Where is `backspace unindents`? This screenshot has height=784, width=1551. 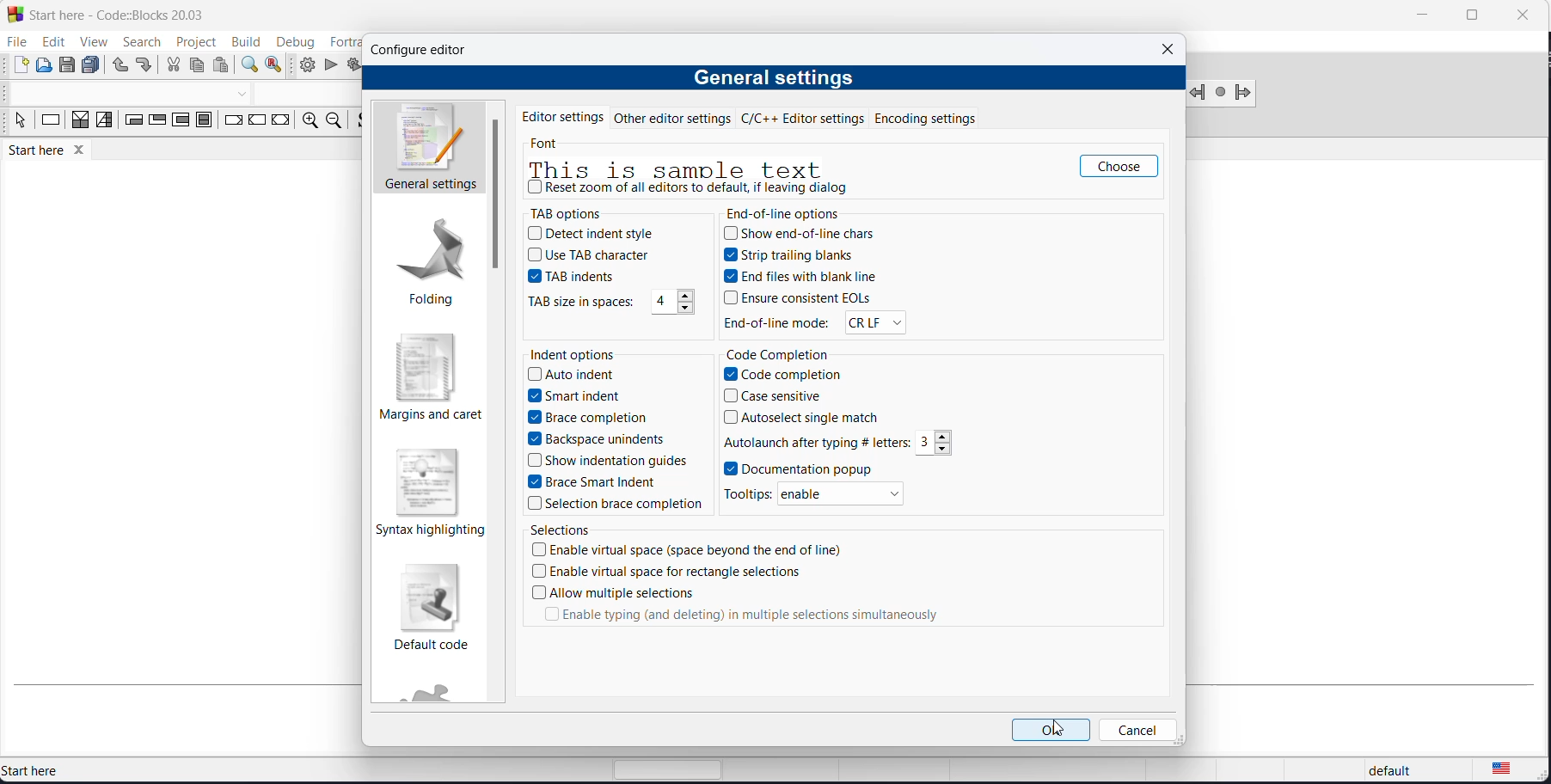
backspace unindents is located at coordinates (596, 439).